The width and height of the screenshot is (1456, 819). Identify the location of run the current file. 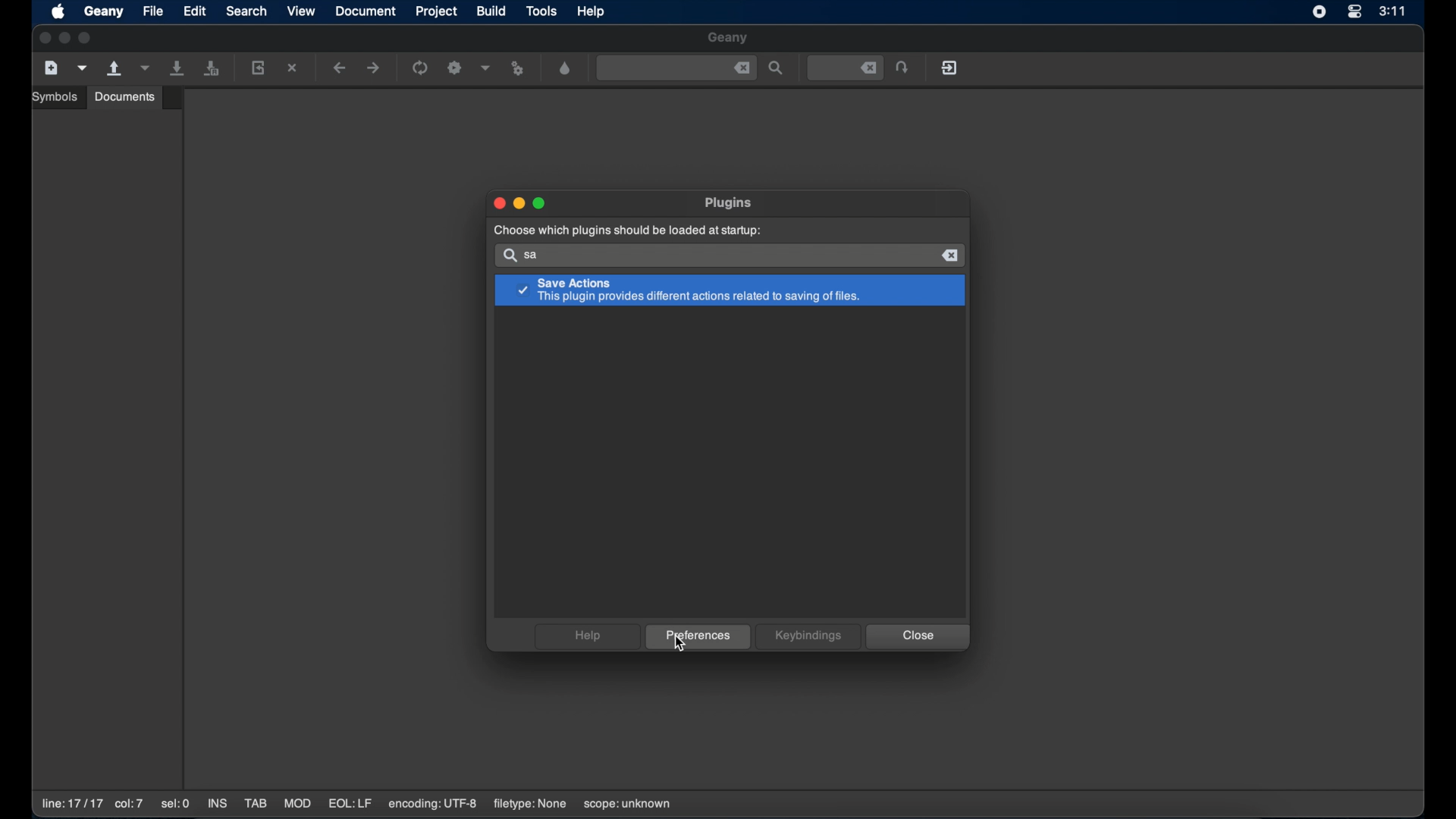
(421, 68).